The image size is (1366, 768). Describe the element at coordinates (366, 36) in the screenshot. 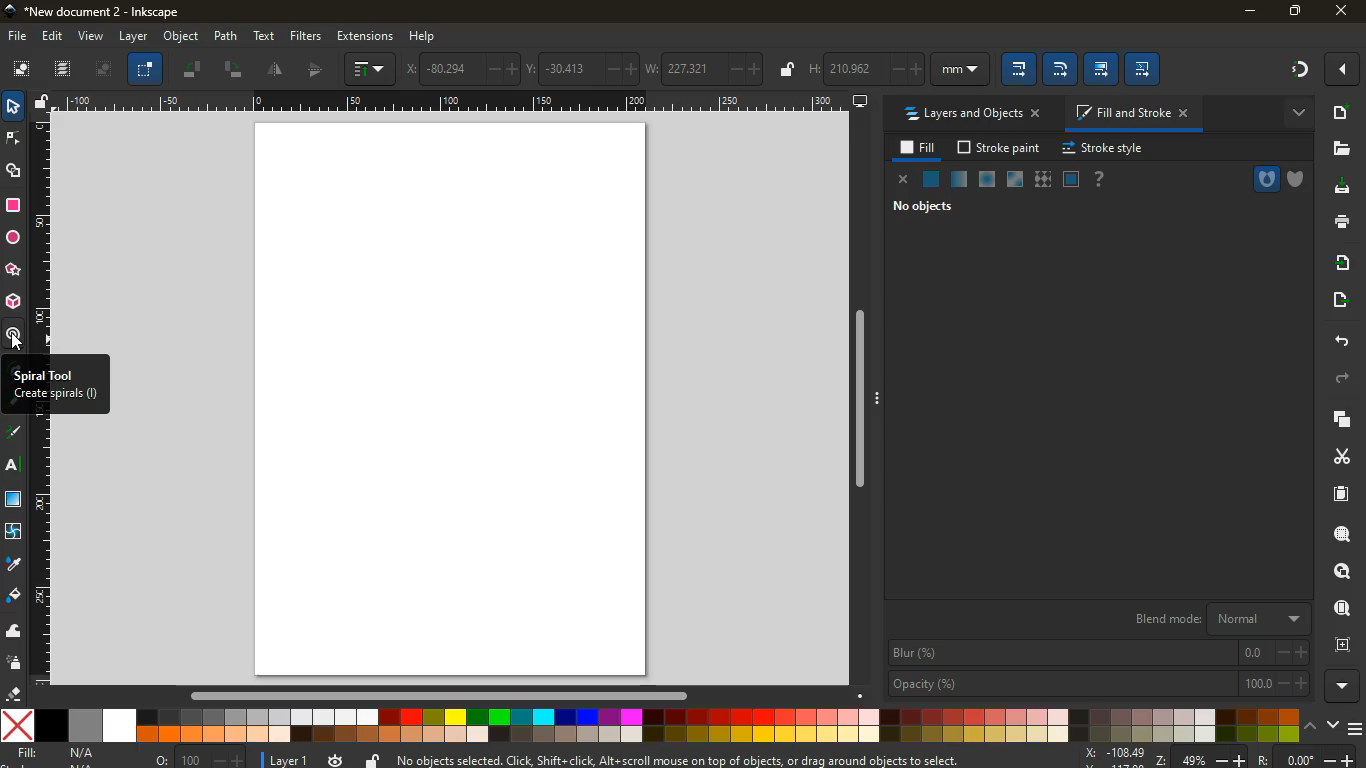

I see `extensions` at that location.